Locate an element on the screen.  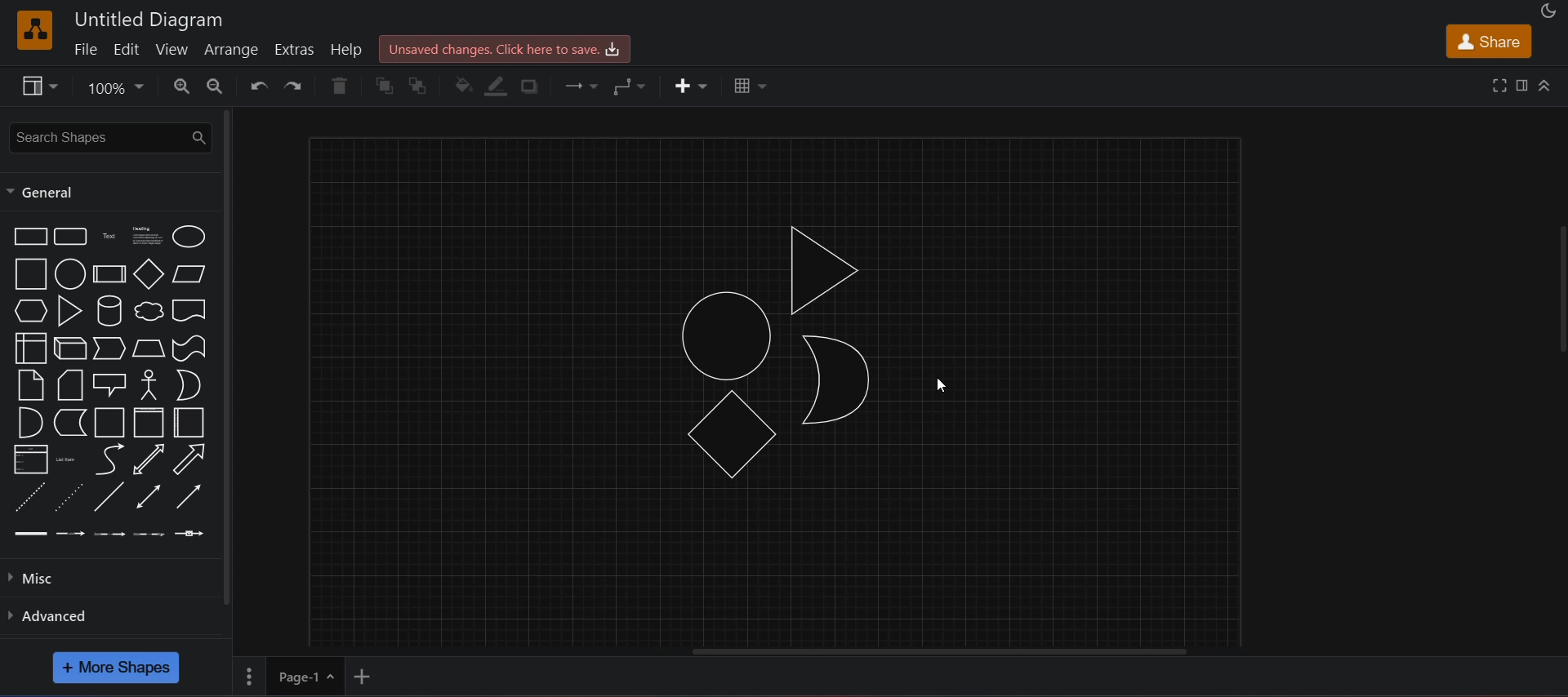
cursor is located at coordinates (947, 384).